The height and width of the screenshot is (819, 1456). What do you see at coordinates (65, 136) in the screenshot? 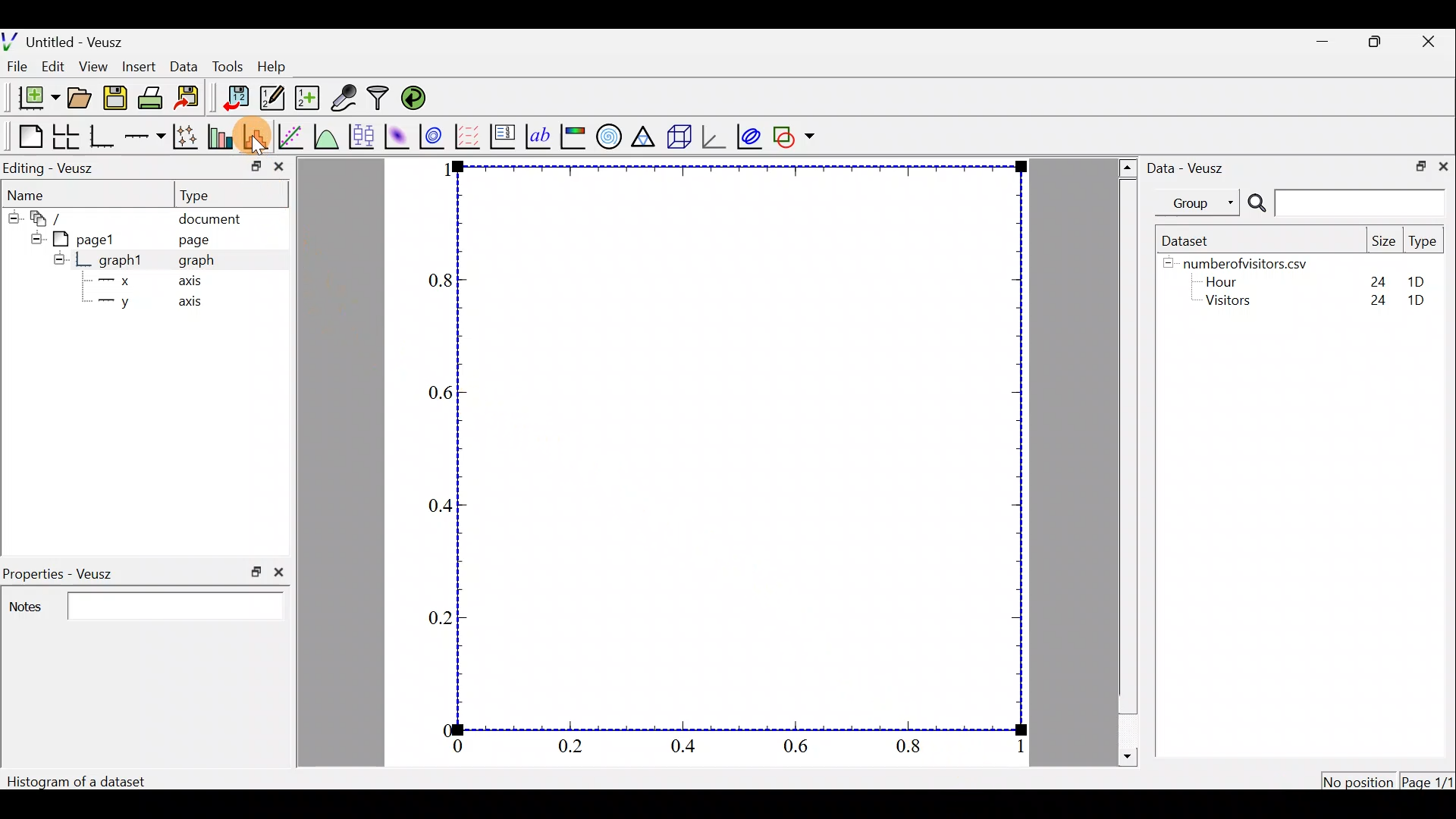
I see `arrange graphs in a grid` at bounding box center [65, 136].